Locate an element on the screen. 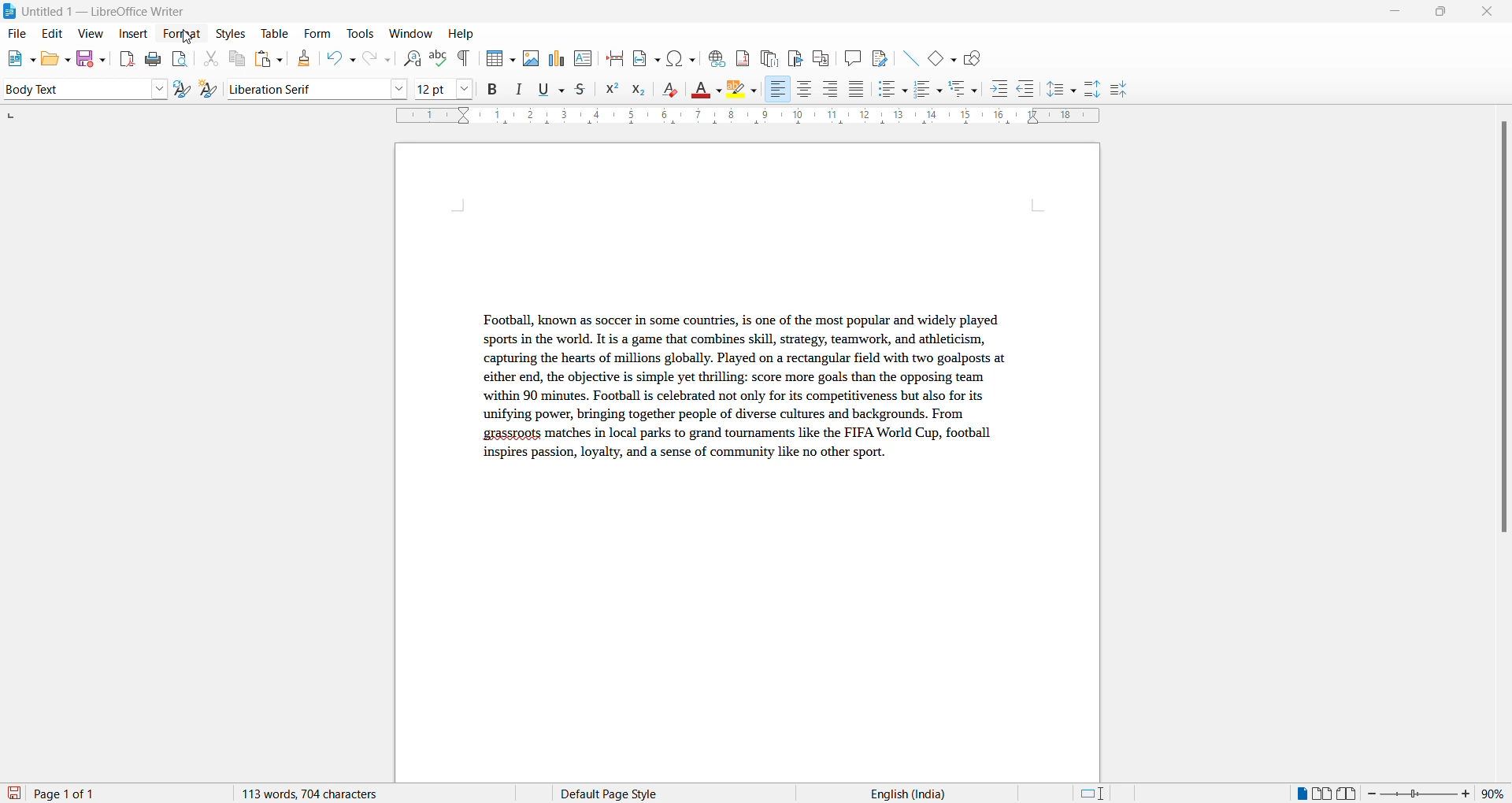 This screenshot has height=803, width=1512. font size is located at coordinates (432, 88).